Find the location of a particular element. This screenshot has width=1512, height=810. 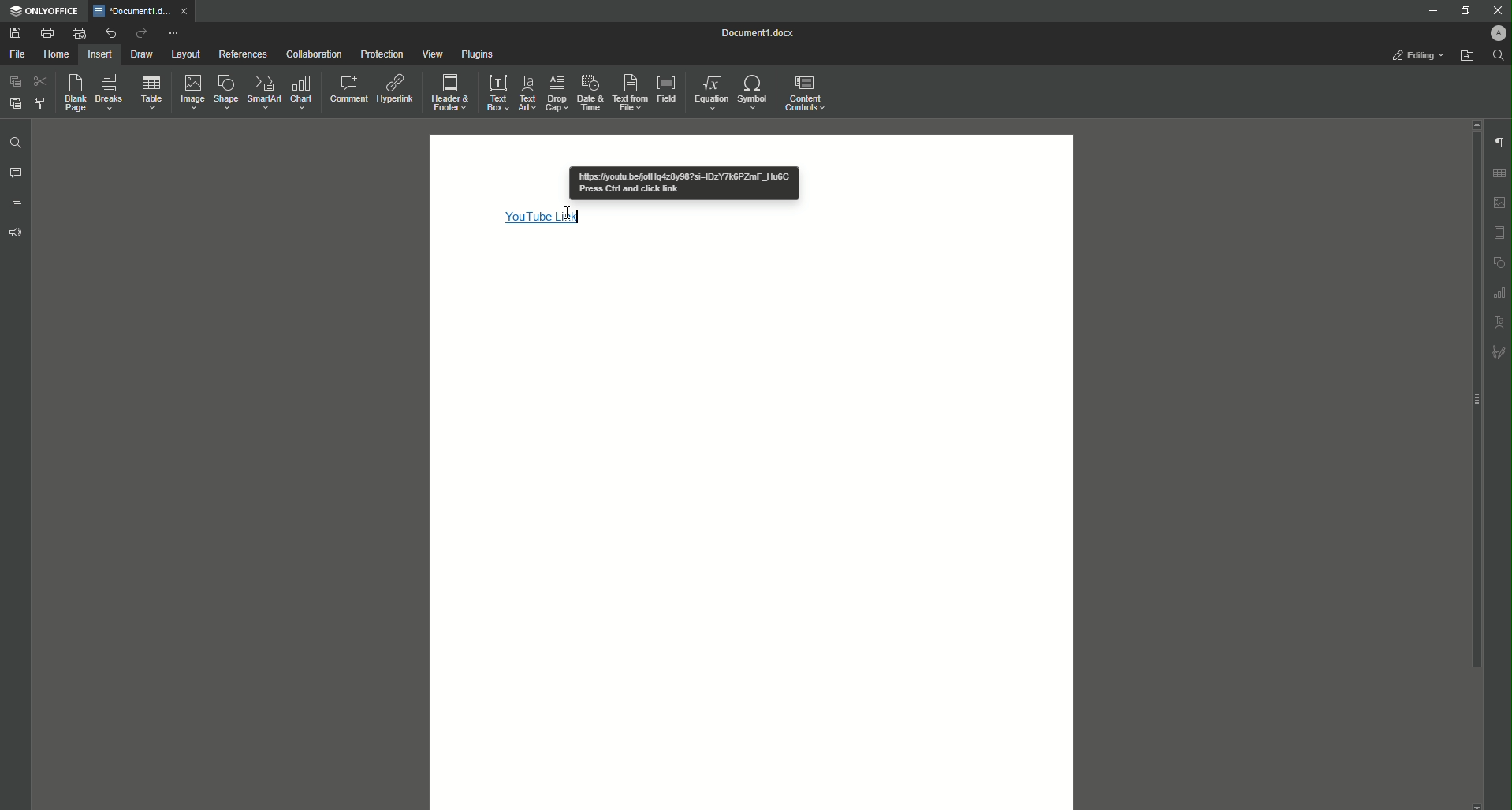

SmartArt is located at coordinates (266, 92).